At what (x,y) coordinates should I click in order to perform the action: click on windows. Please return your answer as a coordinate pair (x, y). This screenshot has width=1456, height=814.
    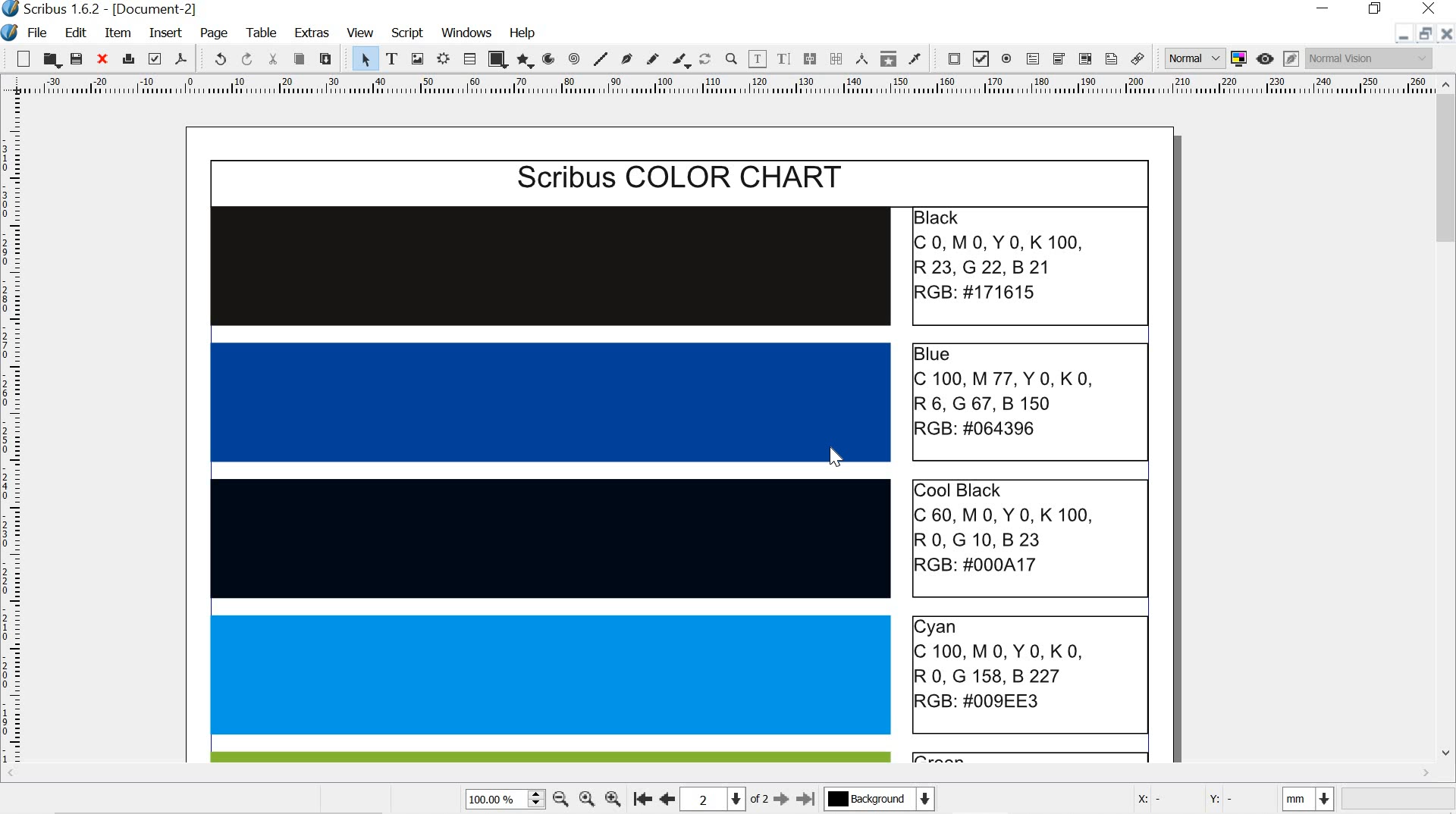
    Looking at the image, I should click on (466, 32).